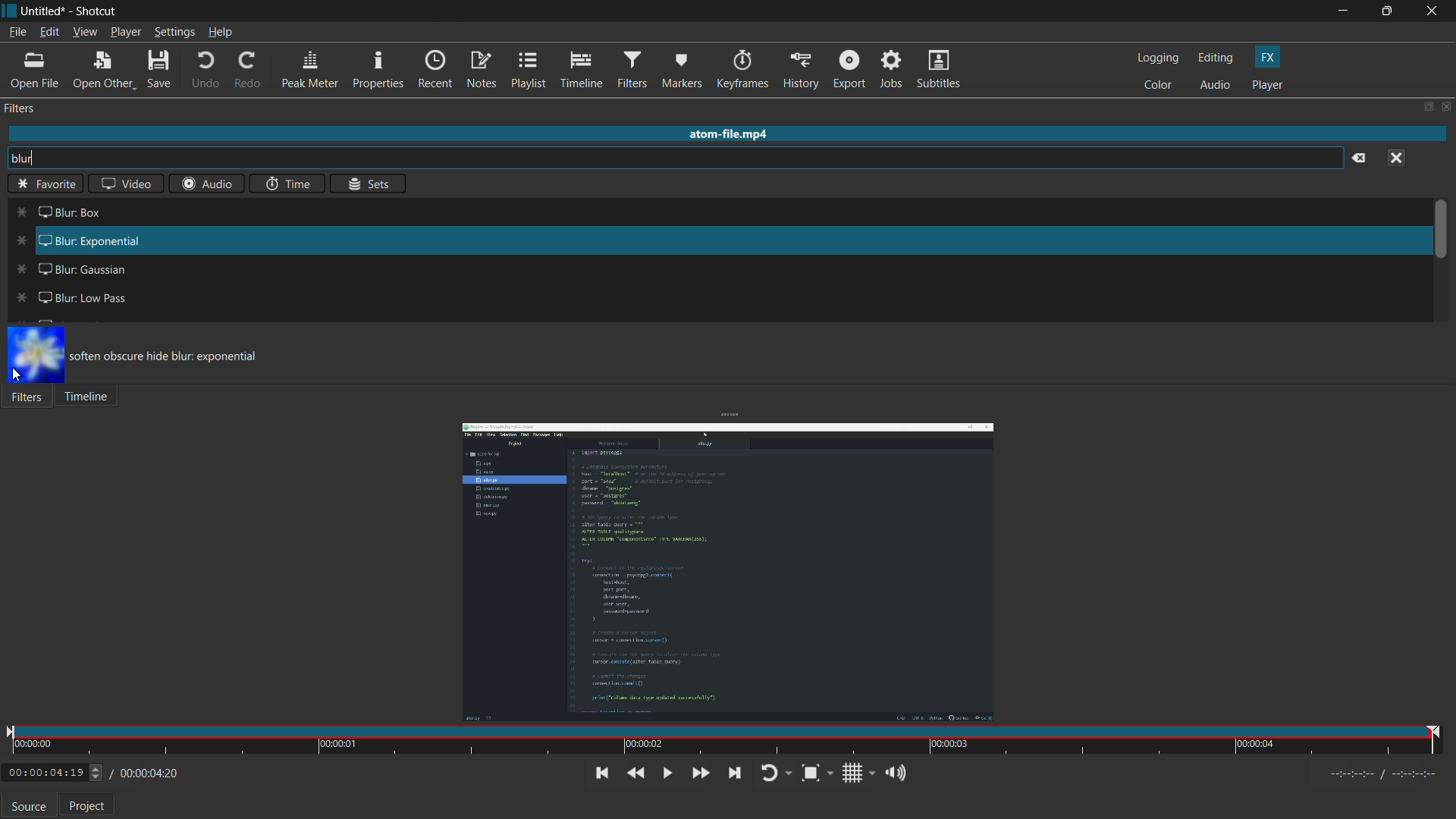 The image size is (1456, 819). Describe the element at coordinates (482, 70) in the screenshot. I see `notes` at that location.